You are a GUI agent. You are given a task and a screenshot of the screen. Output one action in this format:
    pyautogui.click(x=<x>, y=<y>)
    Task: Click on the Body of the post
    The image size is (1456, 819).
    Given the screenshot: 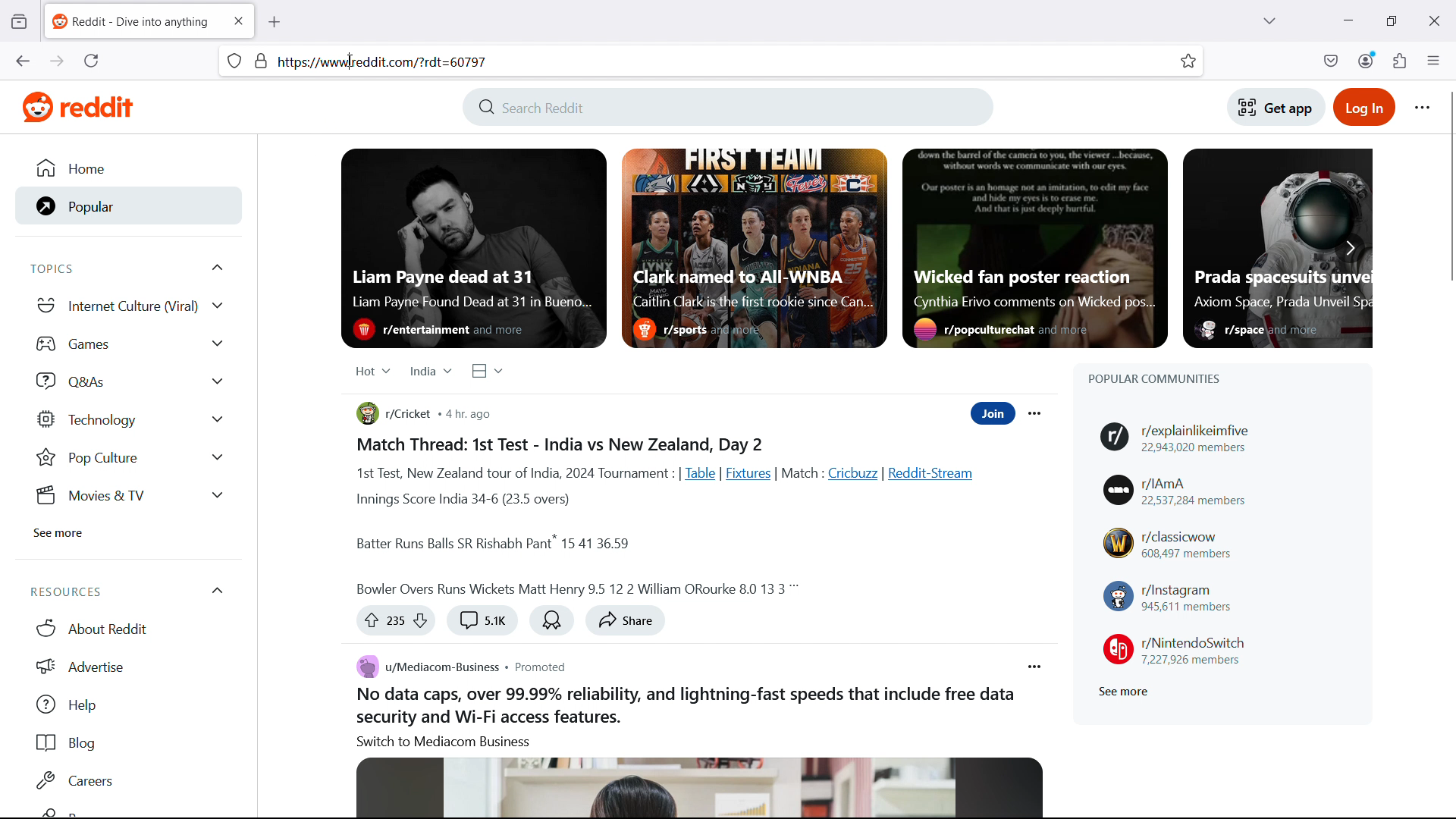 What is the action you would take?
    pyautogui.click(x=673, y=516)
    